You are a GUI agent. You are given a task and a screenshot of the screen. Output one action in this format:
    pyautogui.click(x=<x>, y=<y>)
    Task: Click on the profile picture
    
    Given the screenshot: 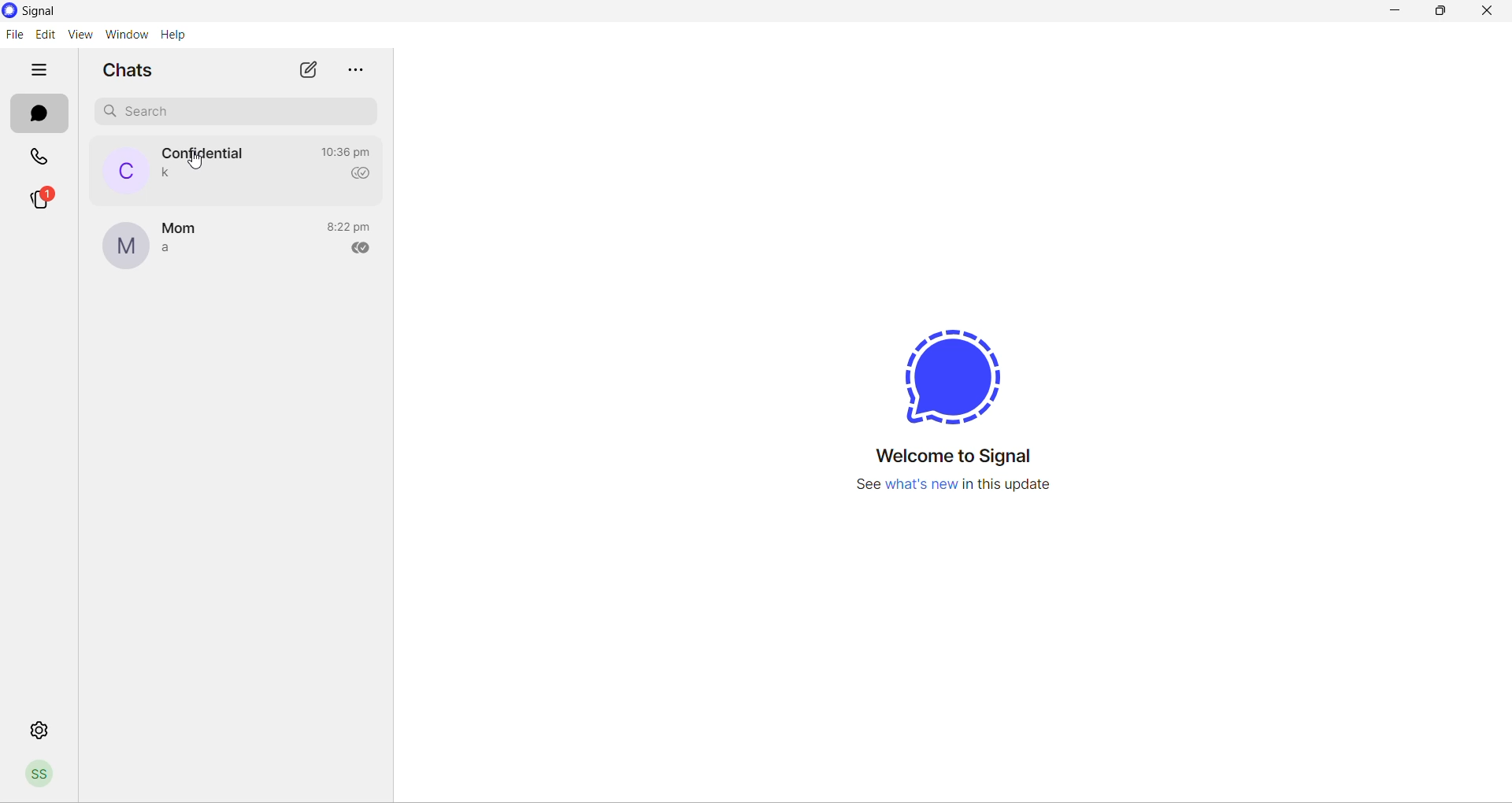 What is the action you would take?
    pyautogui.click(x=125, y=246)
    